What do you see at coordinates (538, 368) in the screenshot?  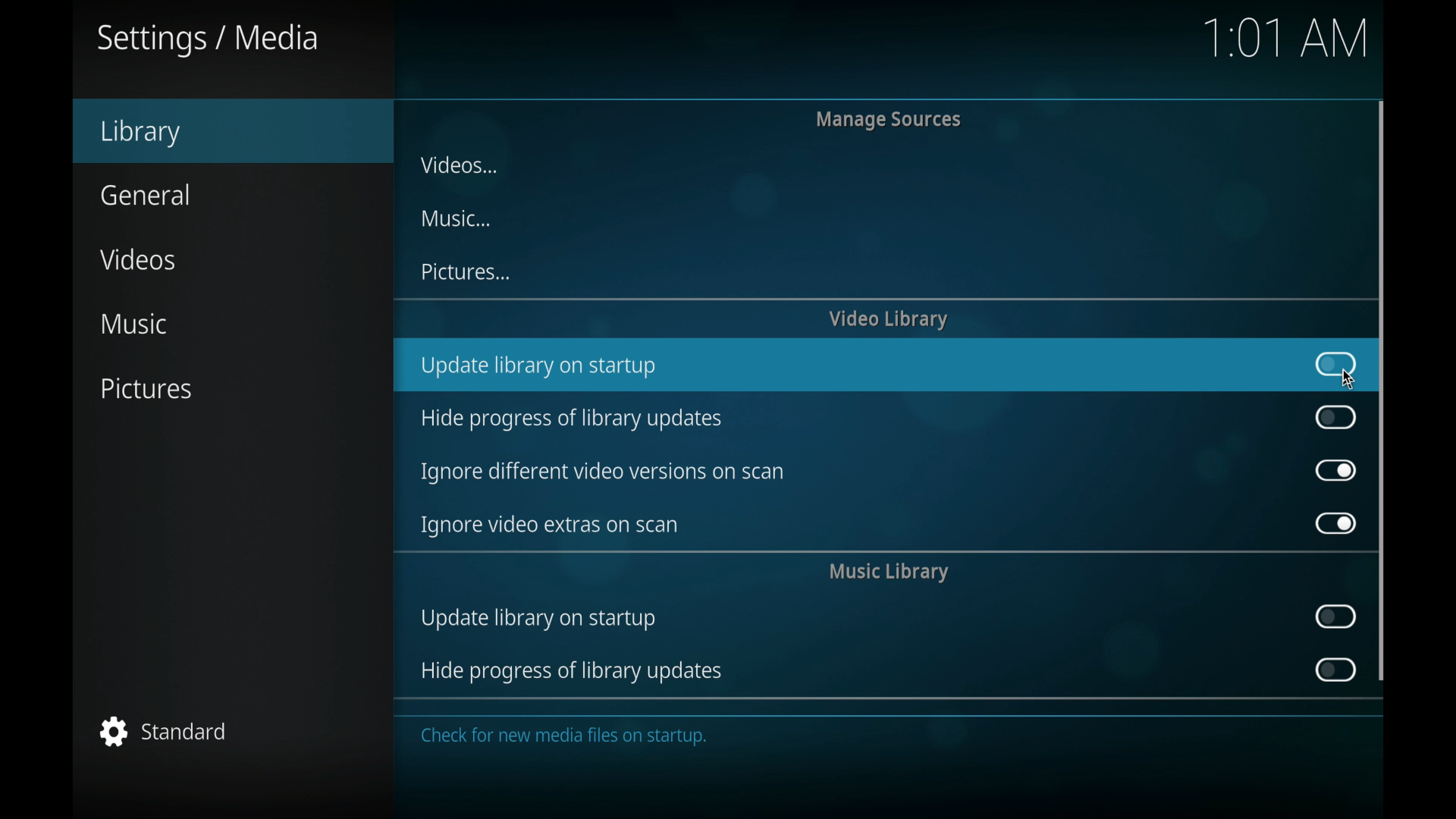 I see `update library on  startup` at bounding box center [538, 368].